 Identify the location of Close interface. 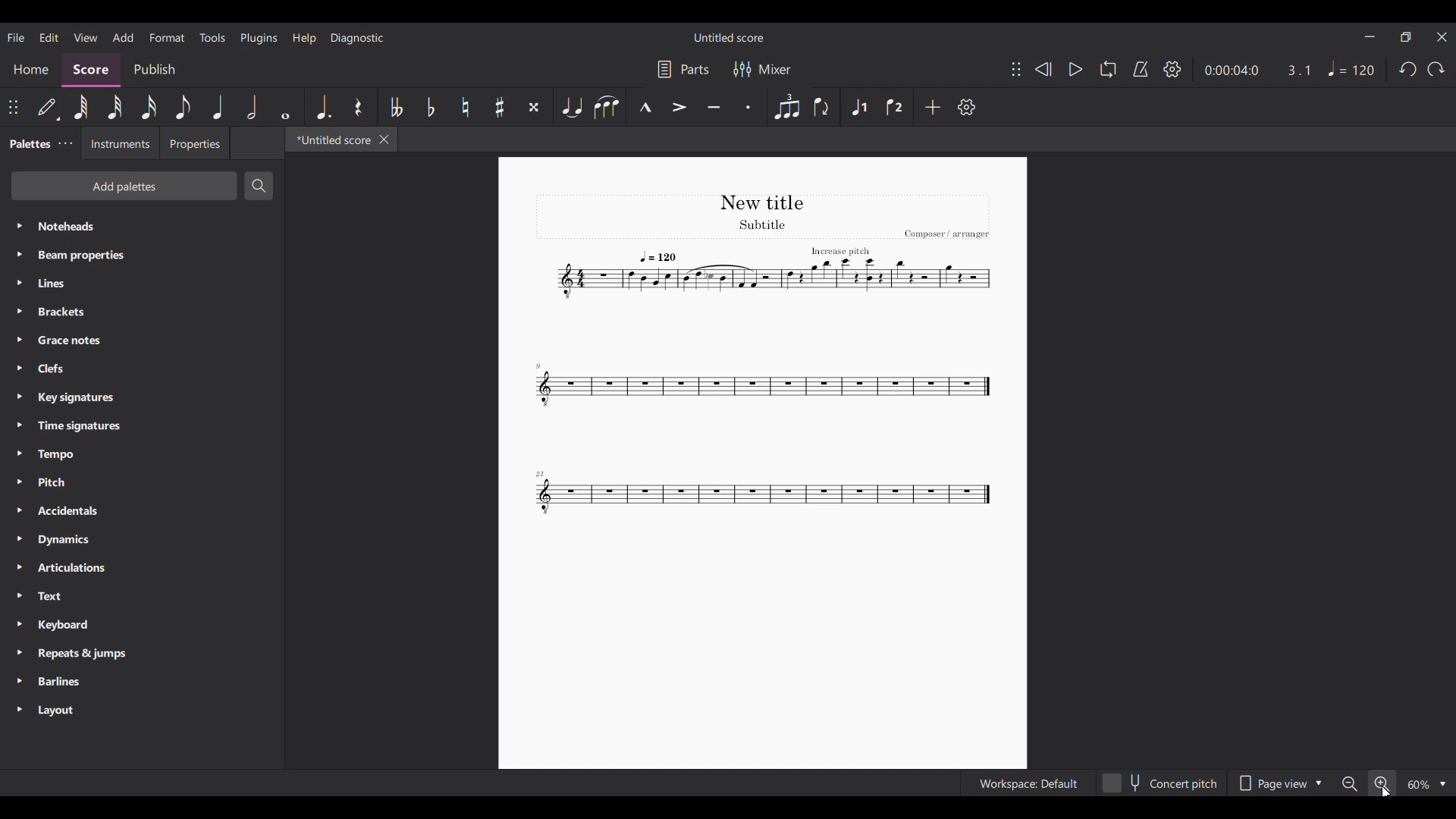
(1442, 37).